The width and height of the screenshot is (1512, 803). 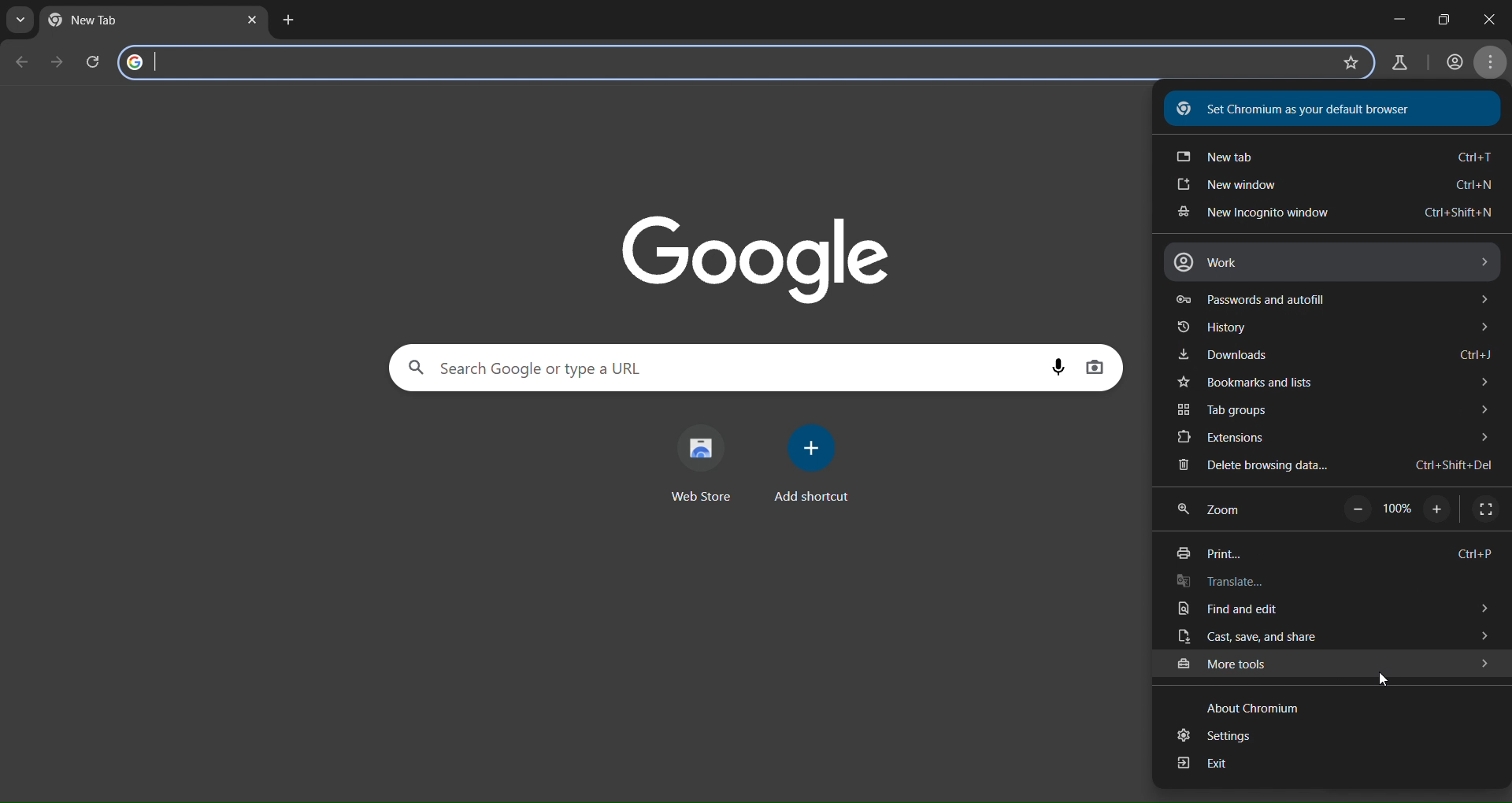 I want to click on search labs, so click(x=1398, y=61).